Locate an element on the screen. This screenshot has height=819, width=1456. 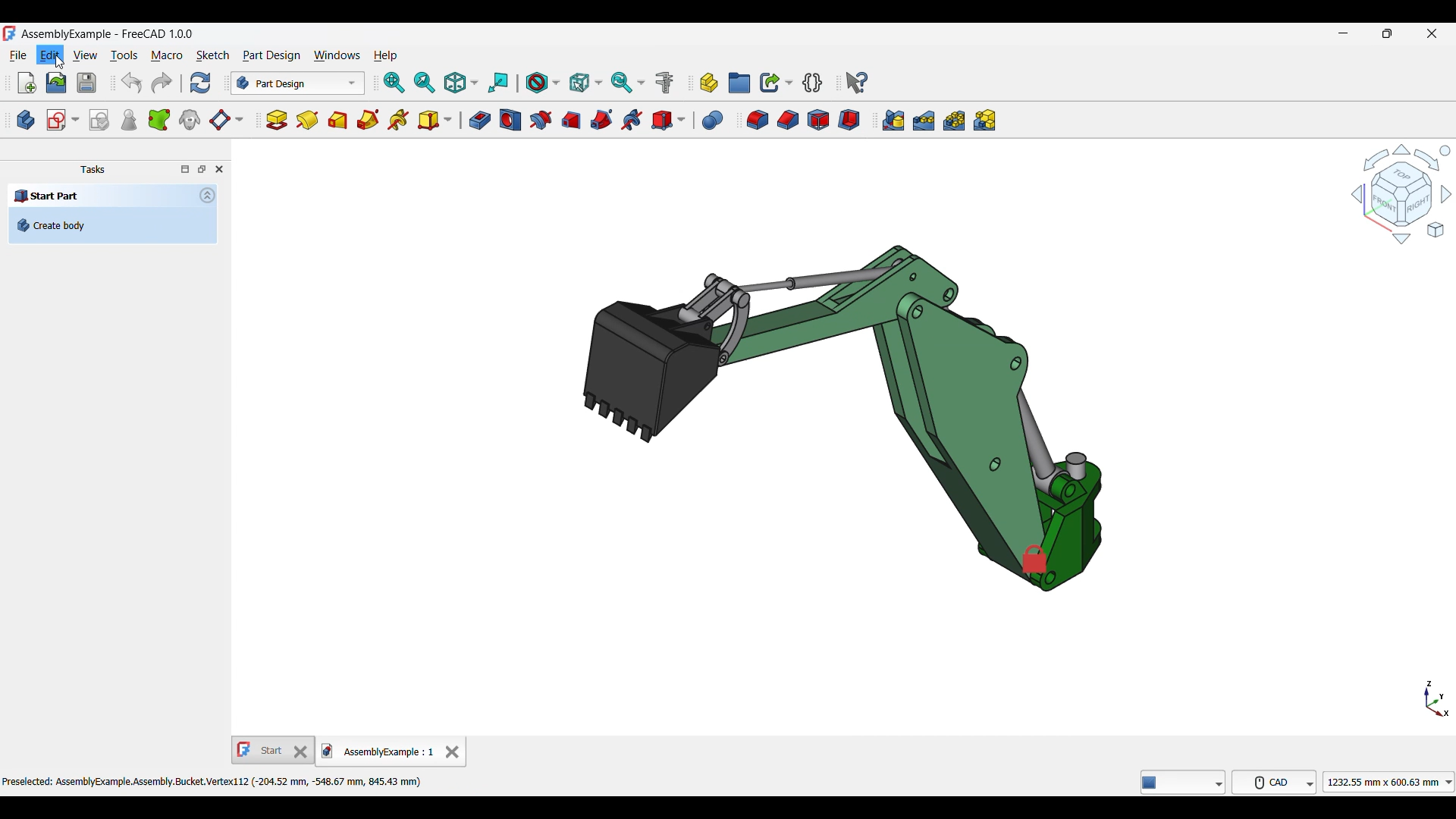
Create an additive primitive is located at coordinates (435, 120).